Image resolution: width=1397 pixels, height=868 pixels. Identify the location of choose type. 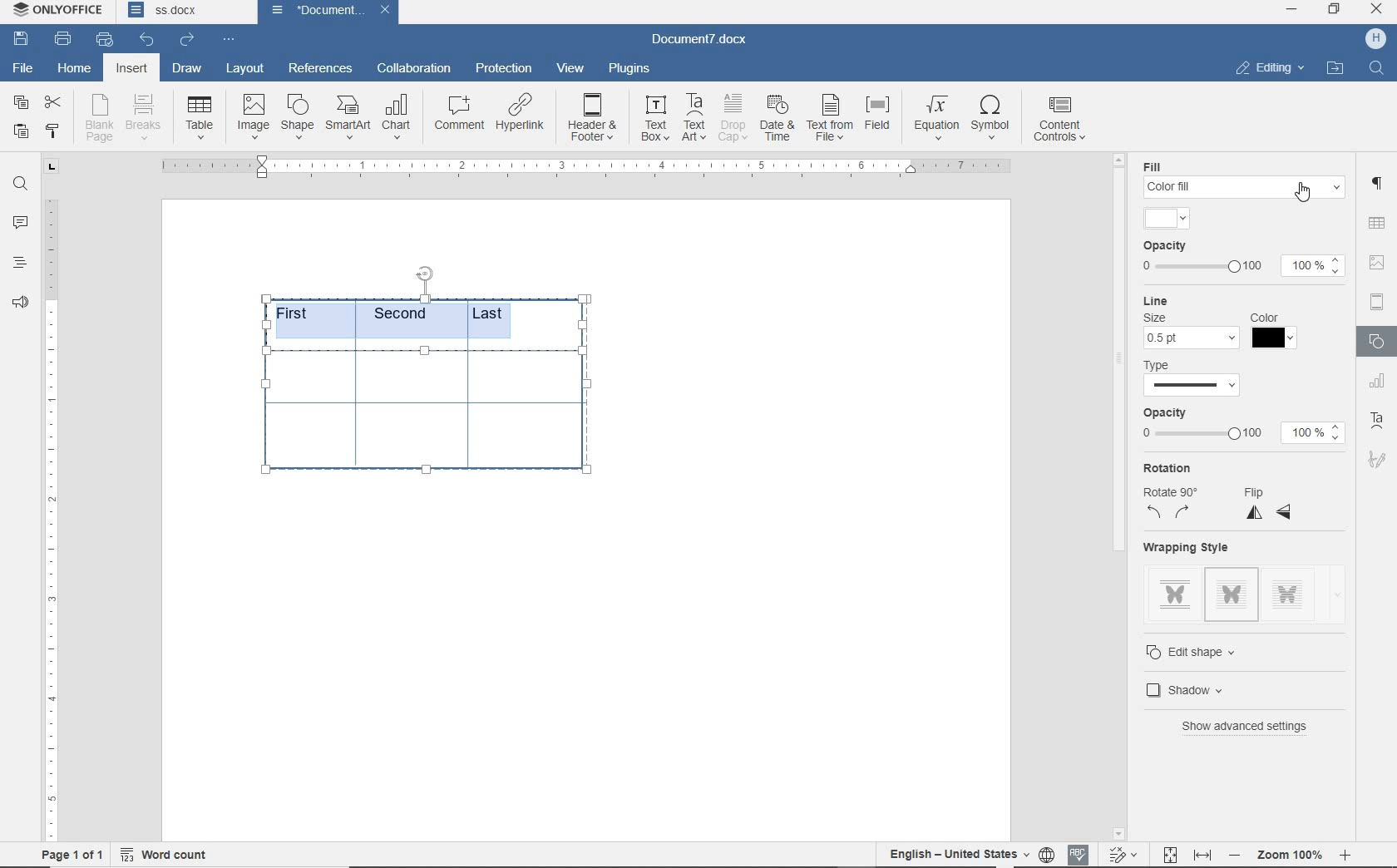
(1191, 385).